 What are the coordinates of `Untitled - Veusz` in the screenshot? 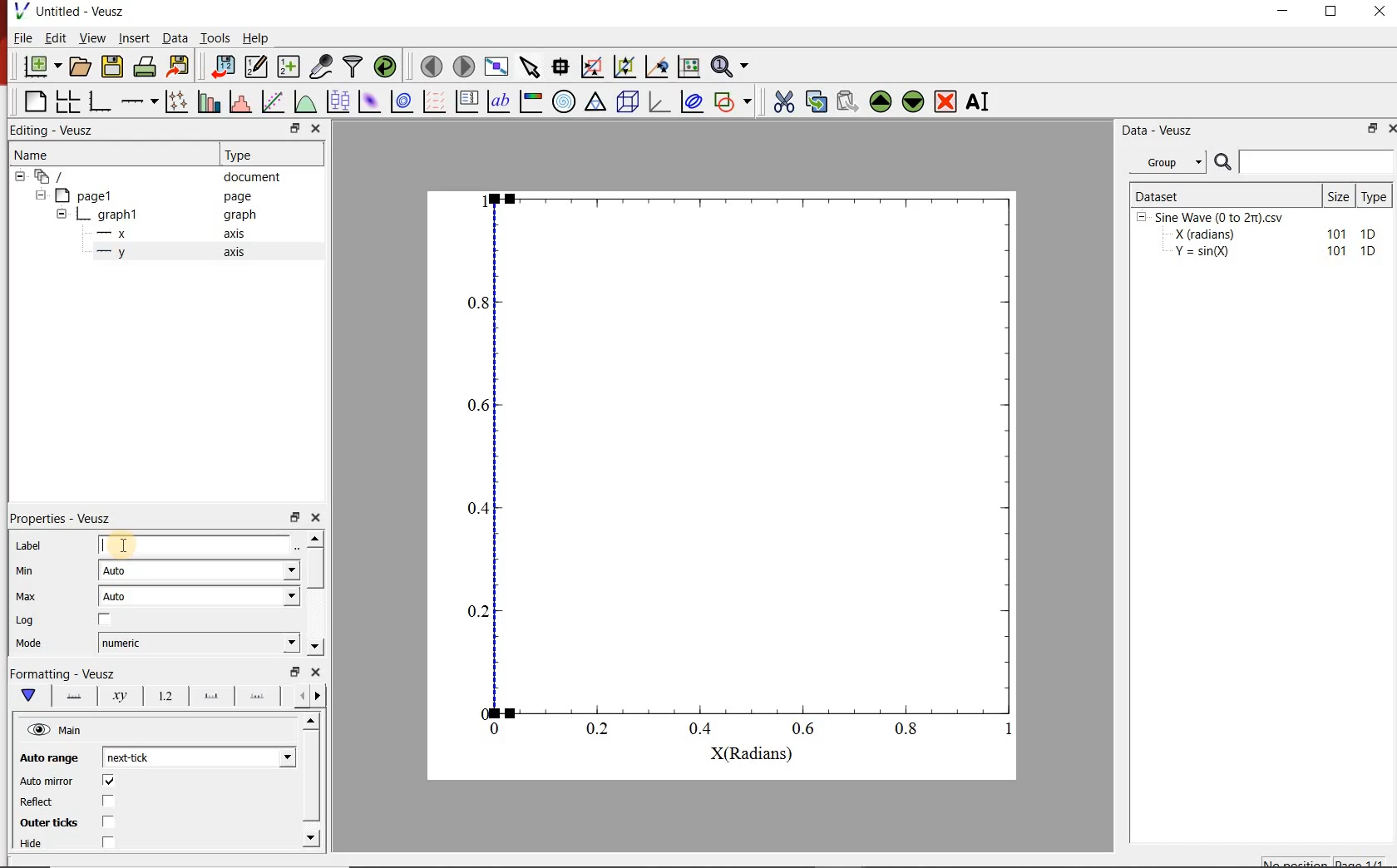 It's located at (81, 11).